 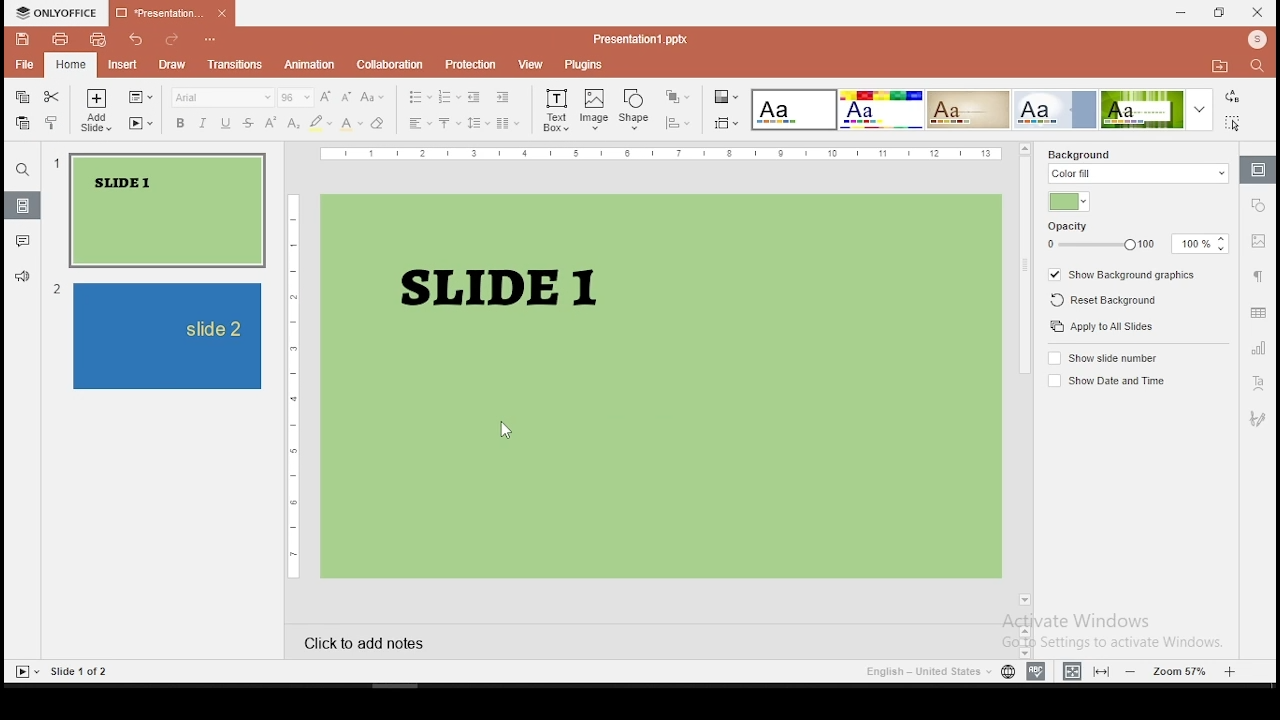 I want to click on columns, so click(x=508, y=123).